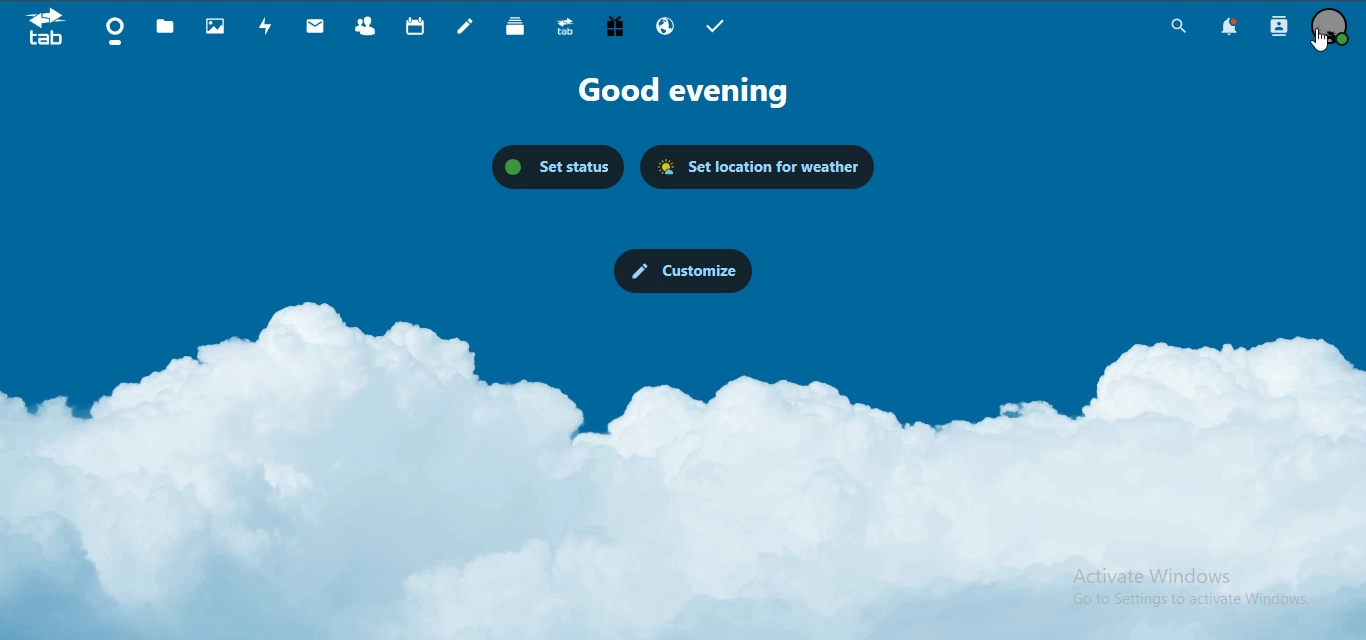 Image resolution: width=1366 pixels, height=640 pixels. What do you see at coordinates (723, 28) in the screenshot?
I see `tasks` at bounding box center [723, 28].